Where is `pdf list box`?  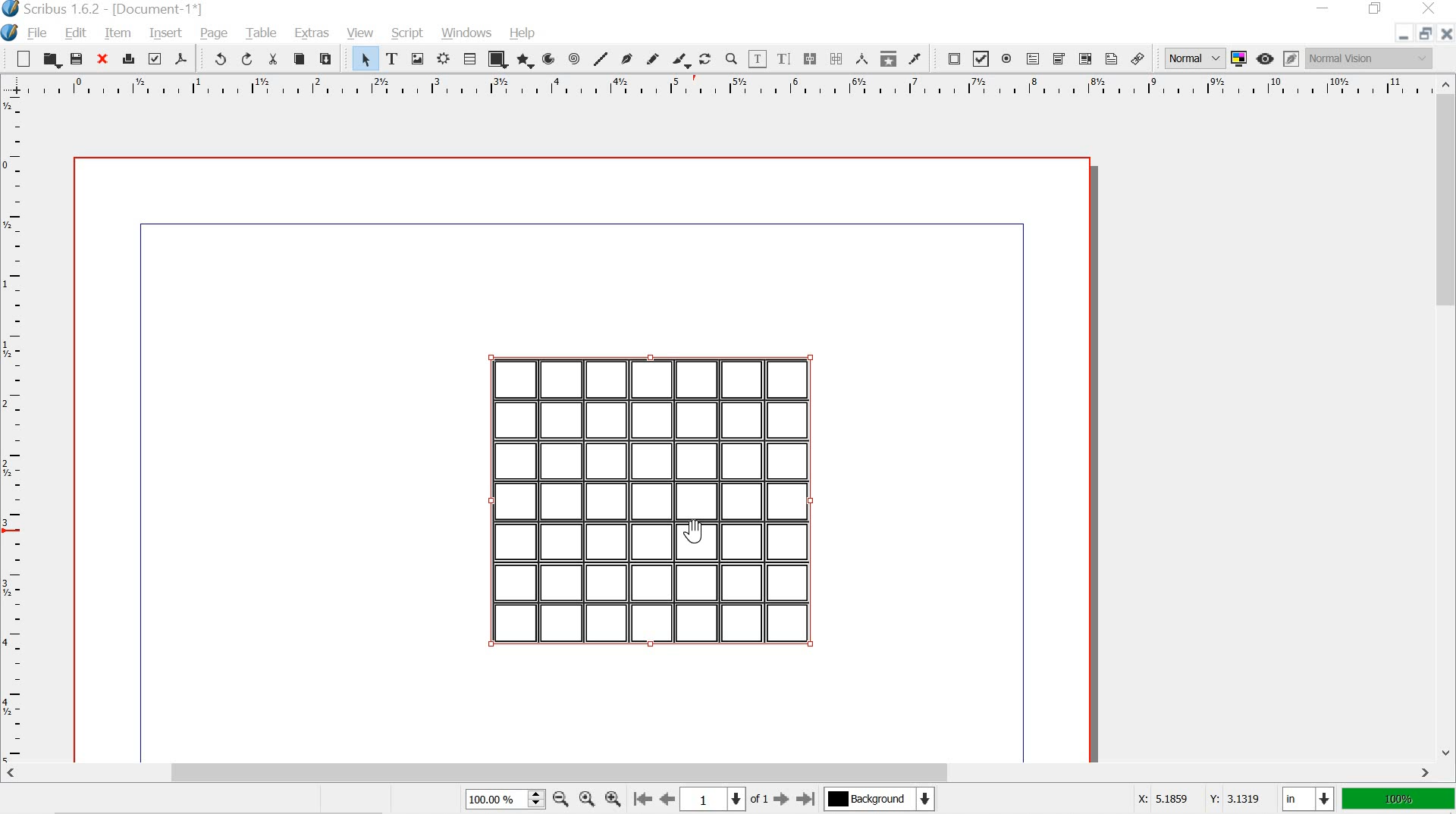
pdf list box is located at coordinates (1084, 58).